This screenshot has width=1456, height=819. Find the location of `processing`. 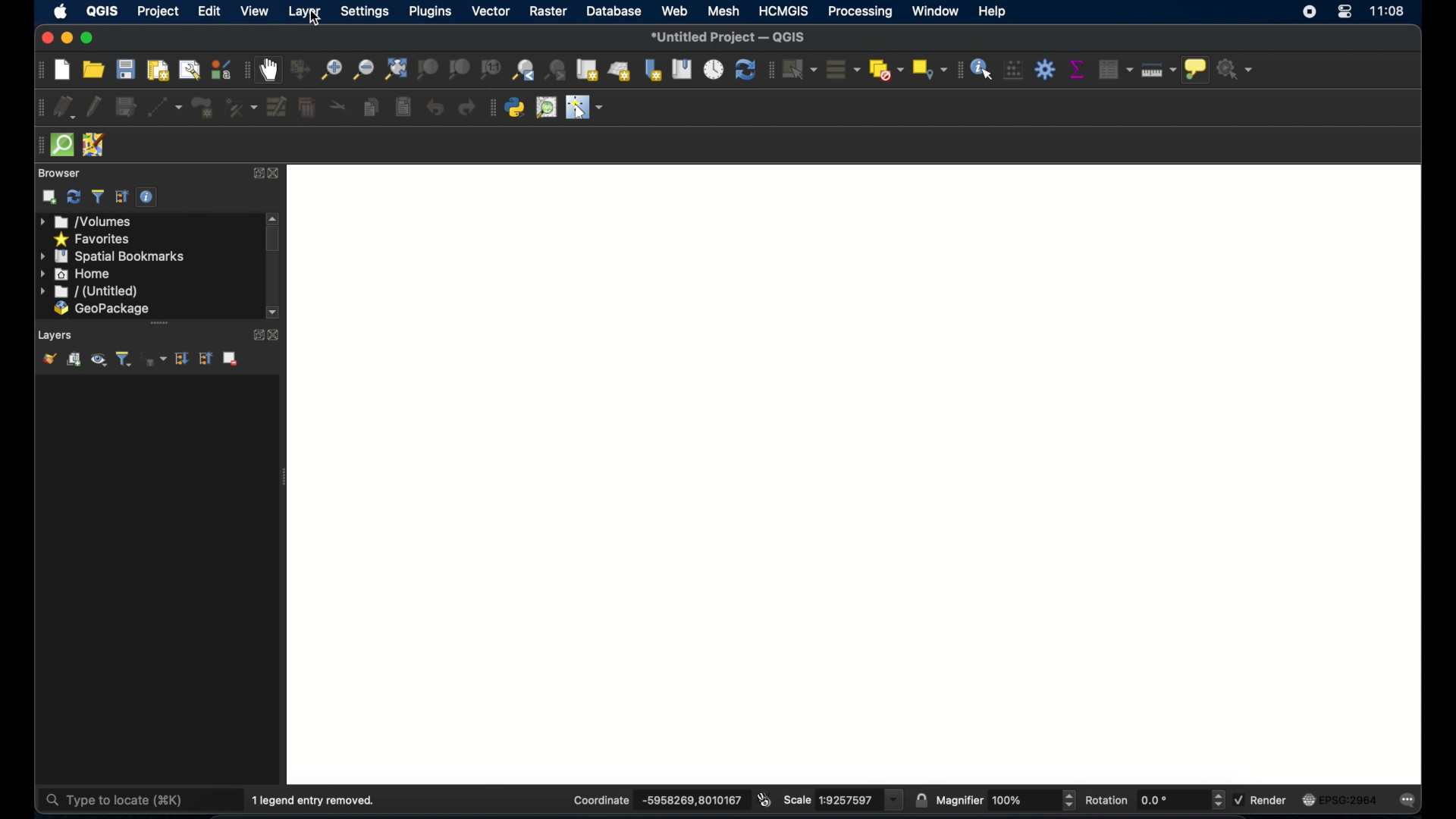

processing is located at coordinates (858, 11).